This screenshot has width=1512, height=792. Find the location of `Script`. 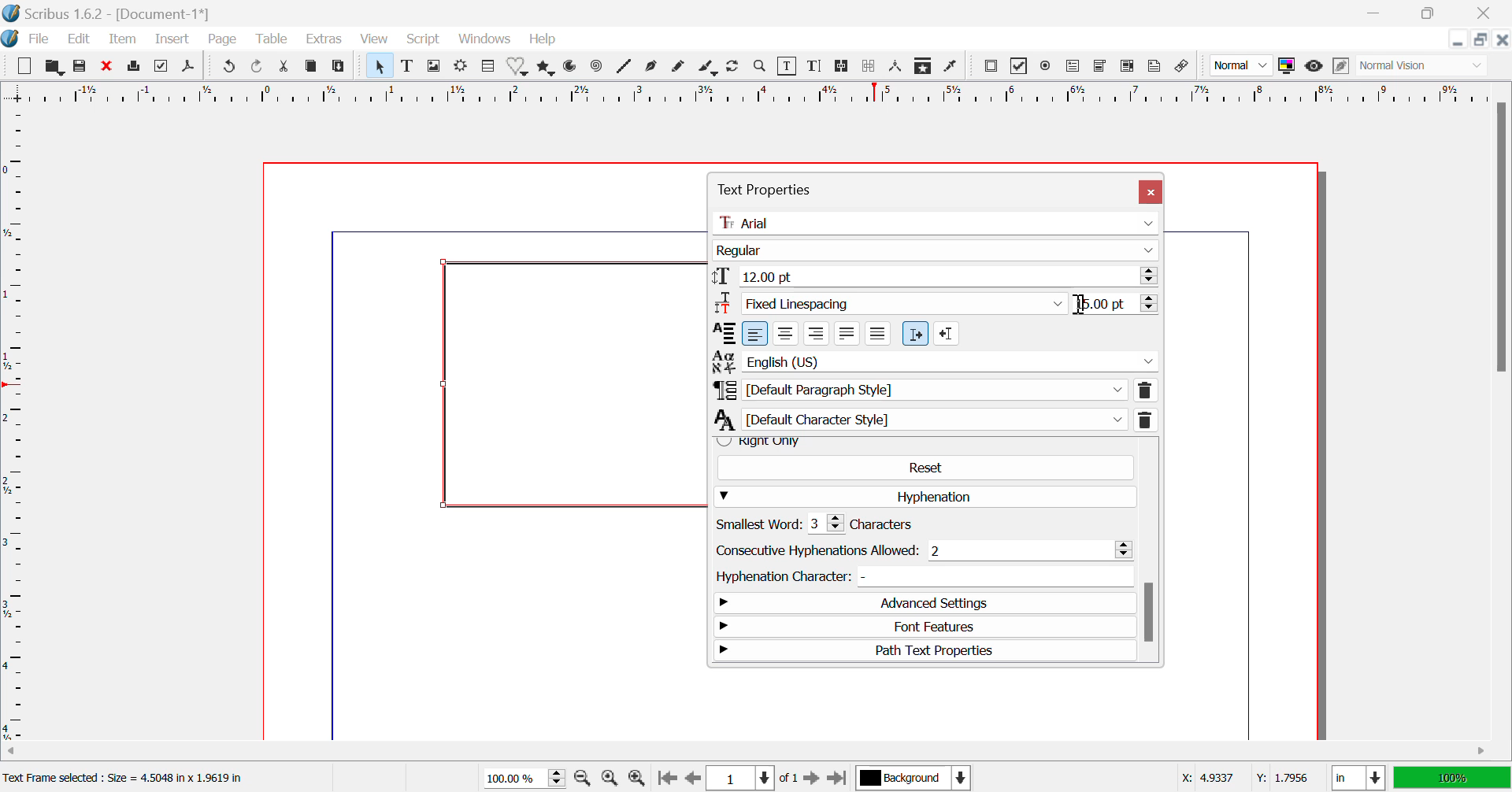

Script is located at coordinates (422, 40).